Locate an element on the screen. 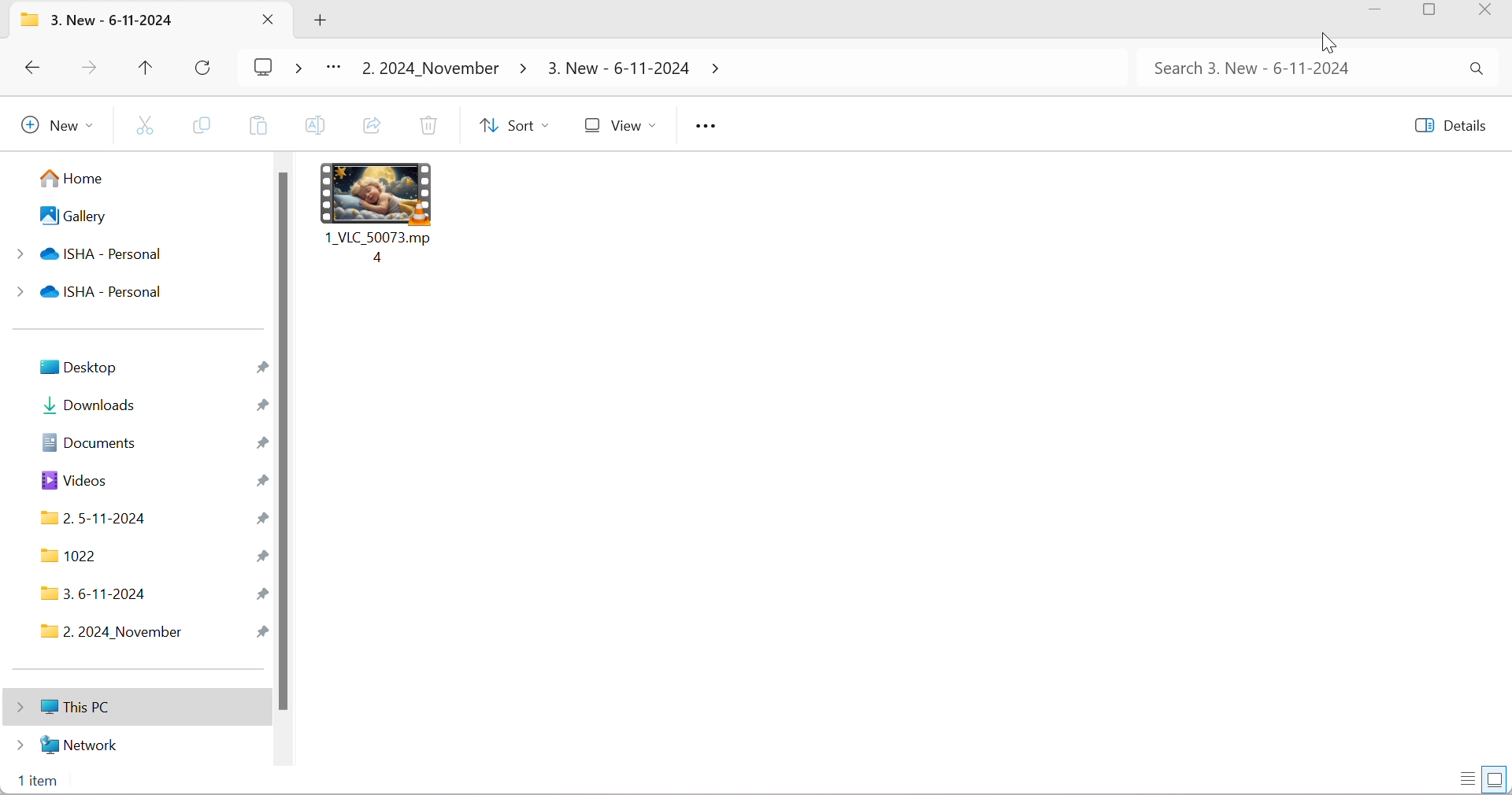 Image resolution: width=1512 pixels, height=795 pixels. Downloads is located at coordinates (92, 405).